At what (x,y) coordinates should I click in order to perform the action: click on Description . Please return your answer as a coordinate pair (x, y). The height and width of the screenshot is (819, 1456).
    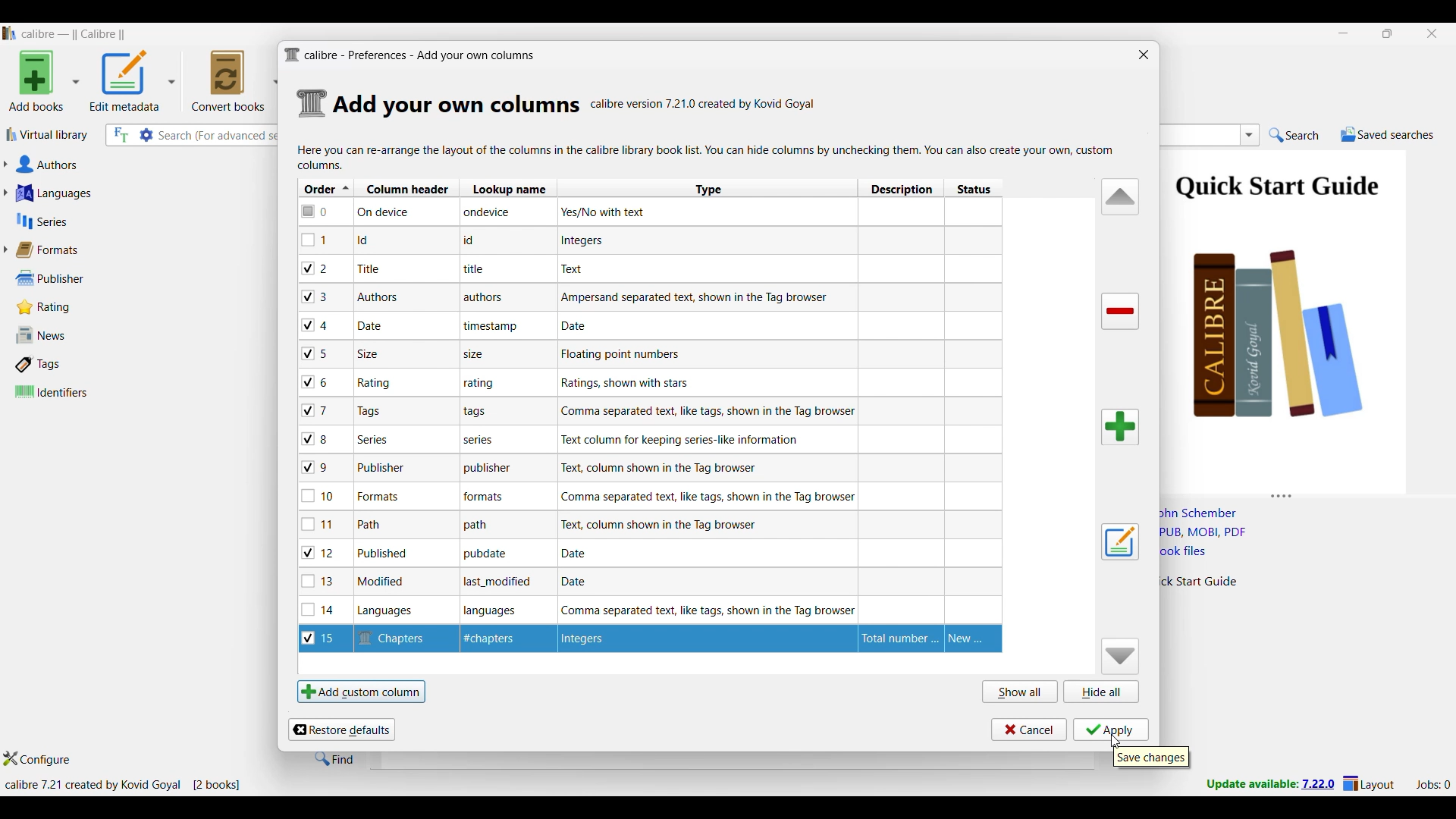
    Looking at the image, I should click on (896, 638).